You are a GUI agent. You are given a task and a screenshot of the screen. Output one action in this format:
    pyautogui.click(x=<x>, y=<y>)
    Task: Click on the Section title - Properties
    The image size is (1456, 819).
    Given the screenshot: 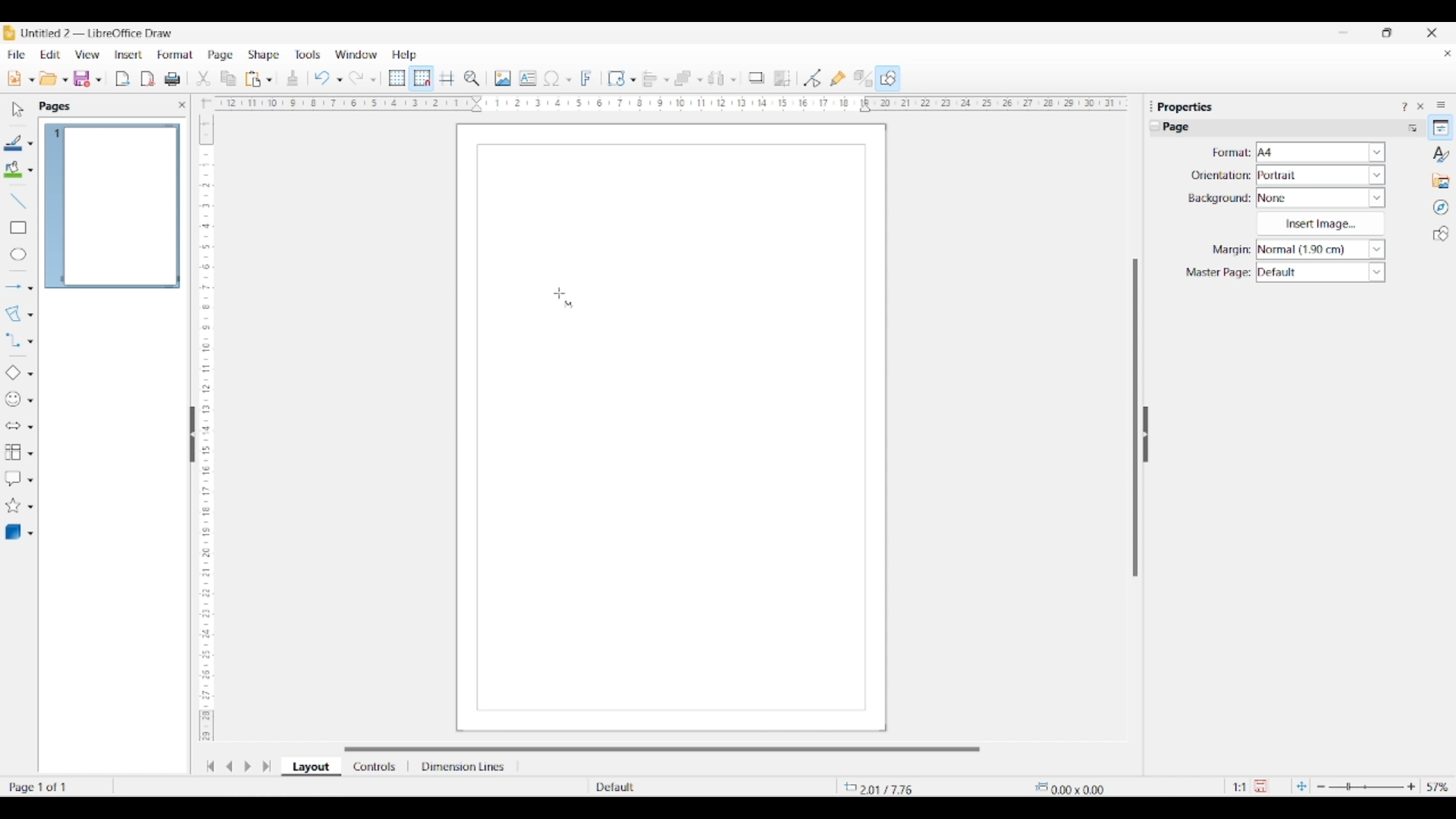 What is the action you would take?
    pyautogui.click(x=1187, y=106)
    